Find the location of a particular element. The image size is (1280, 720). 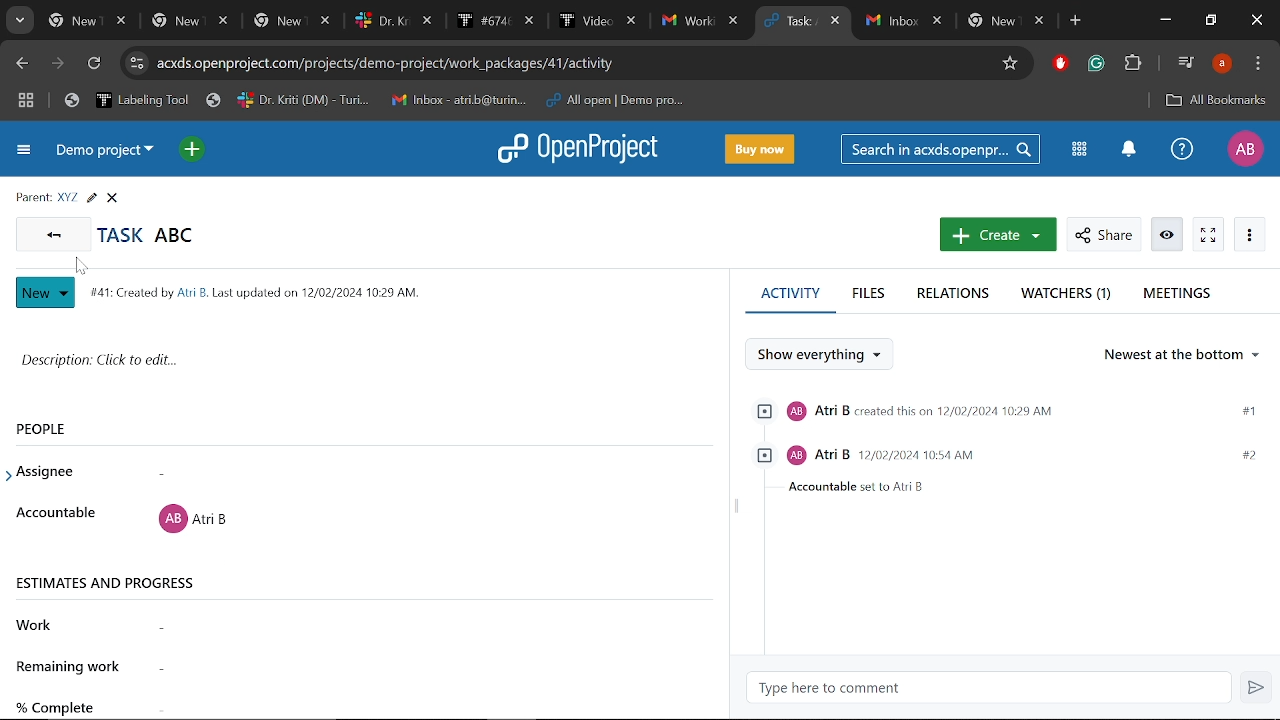

Openproject logo is located at coordinates (580, 149).